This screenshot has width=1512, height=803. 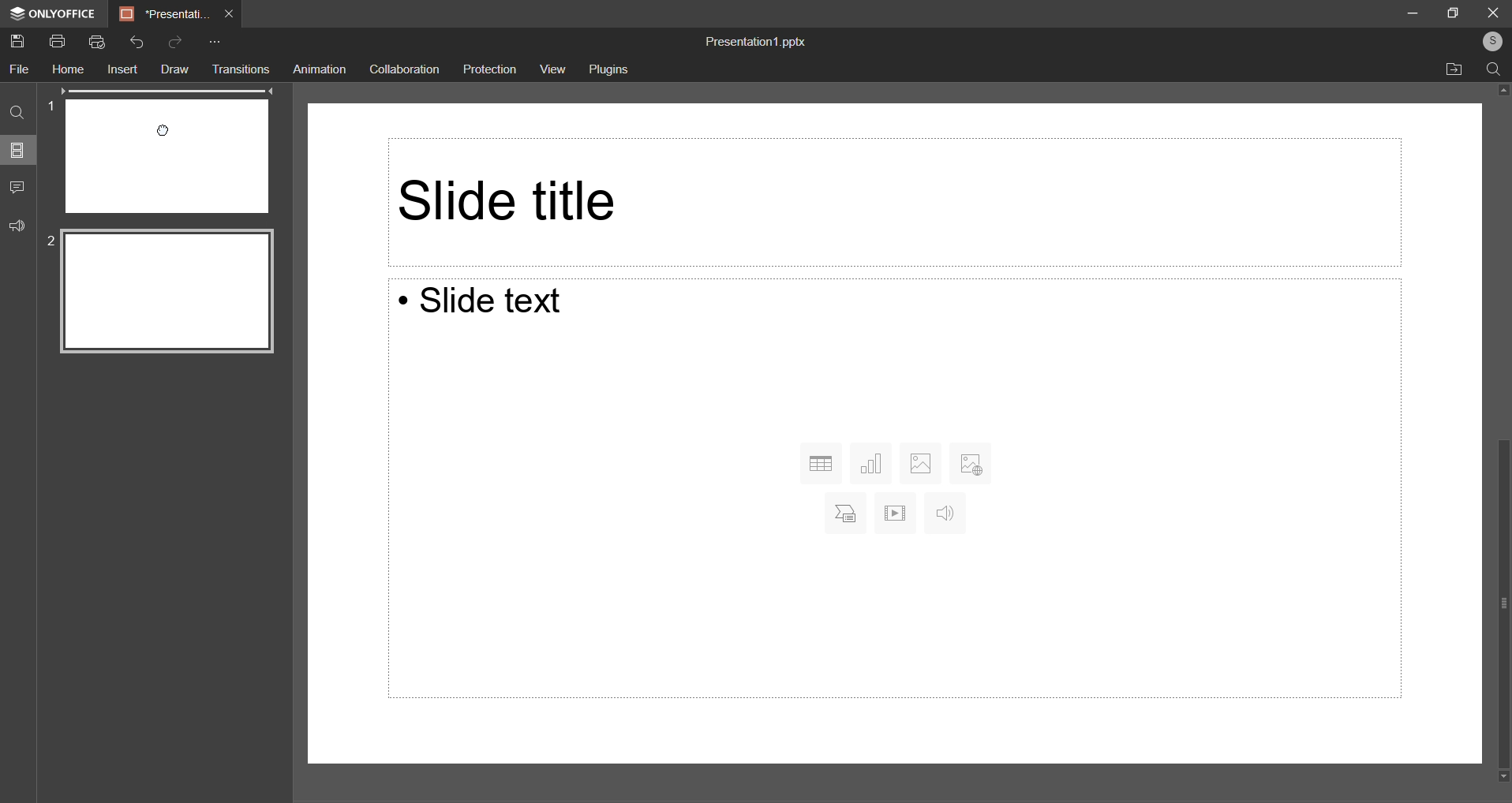 What do you see at coordinates (1499, 92) in the screenshot?
I see `Move up` at bounding box center [1499, 92].